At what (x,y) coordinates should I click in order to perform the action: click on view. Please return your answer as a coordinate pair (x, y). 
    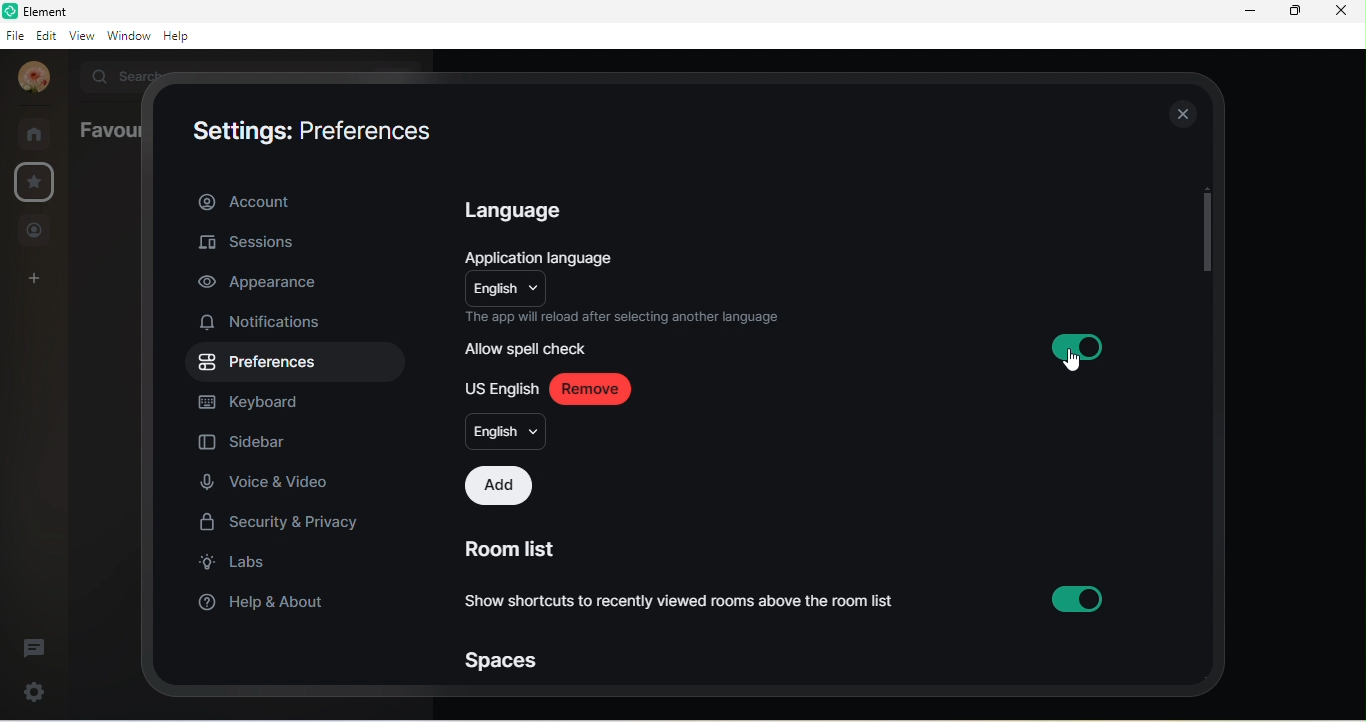
    Looking at the image, I should click on (83, 35).